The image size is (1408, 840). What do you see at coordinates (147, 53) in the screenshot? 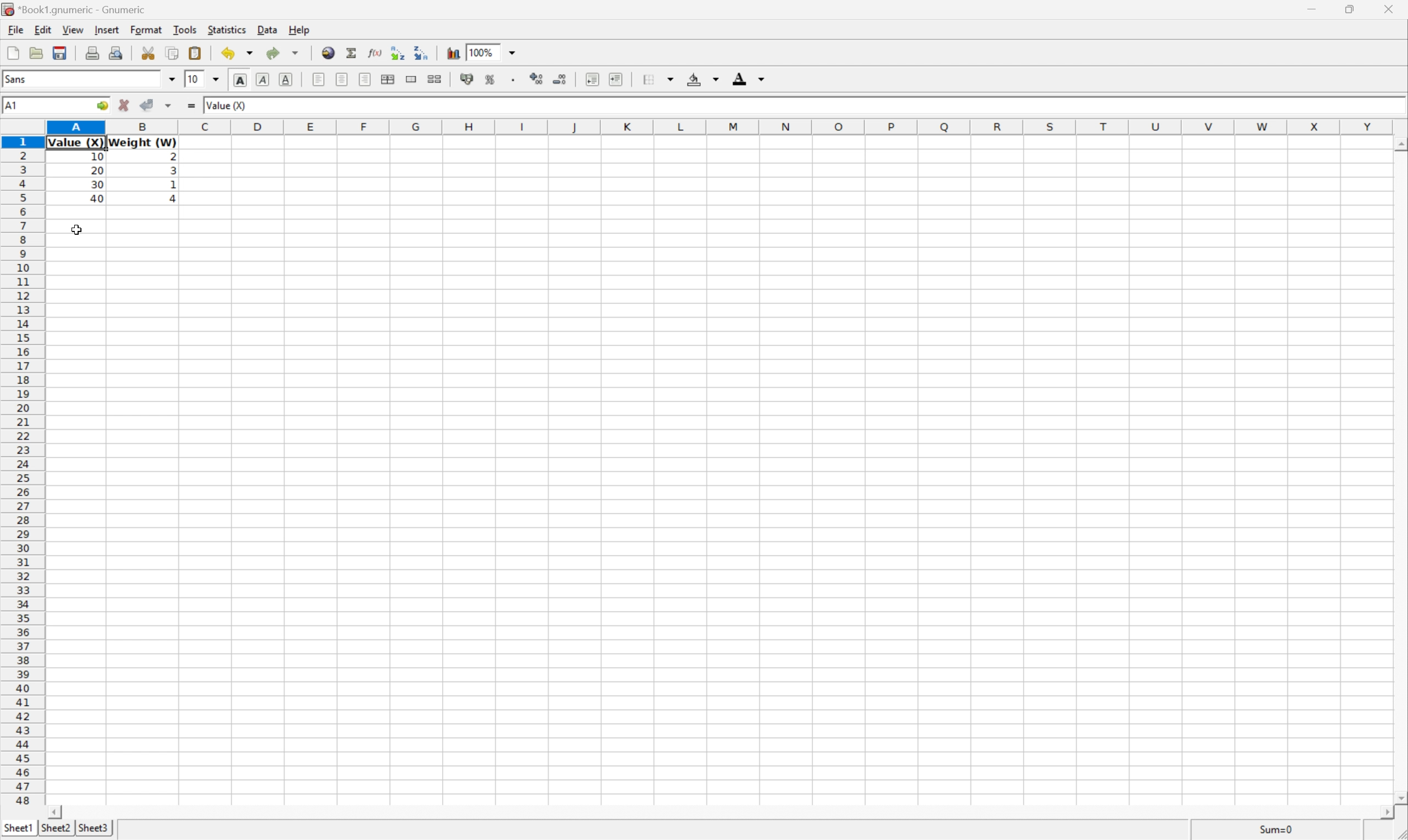
I see `Cut selection` at bounding box center [147, 53].